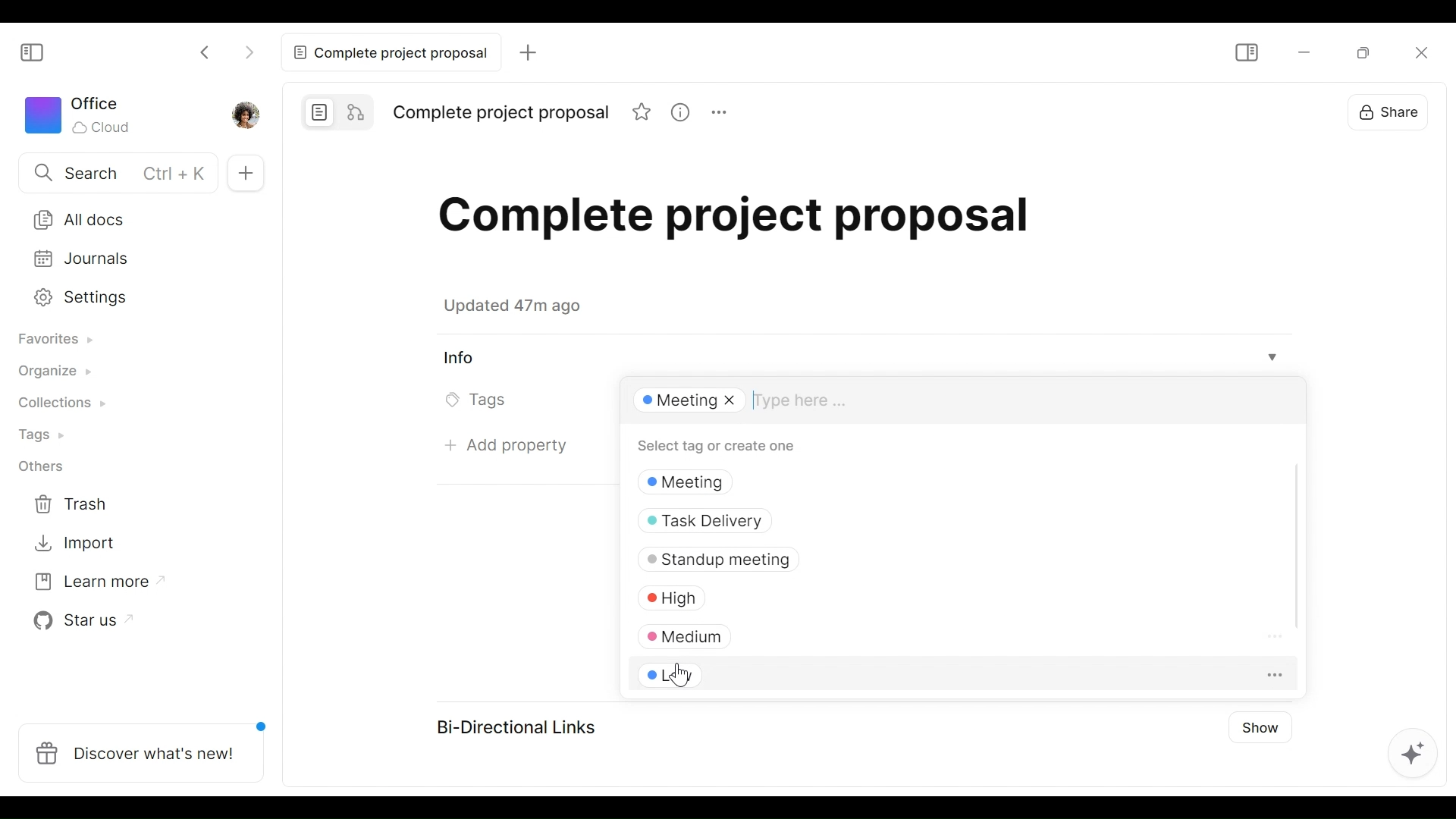 The width and height of the screenshot is (1456, 819). Describe the element at coordinates (1409, 751) in the screenshot. I see `AFFiNE AI` at that location.